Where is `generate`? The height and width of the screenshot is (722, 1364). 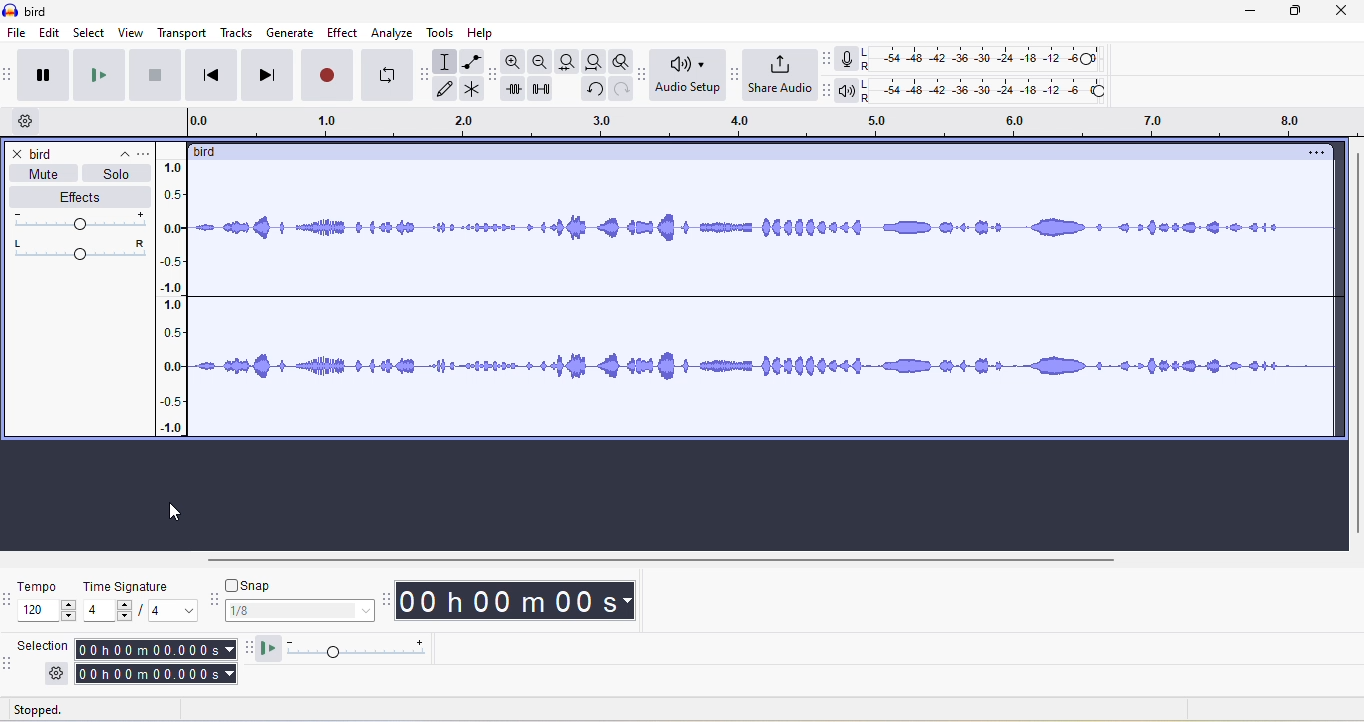 generate is located at coordinates (291, 33).